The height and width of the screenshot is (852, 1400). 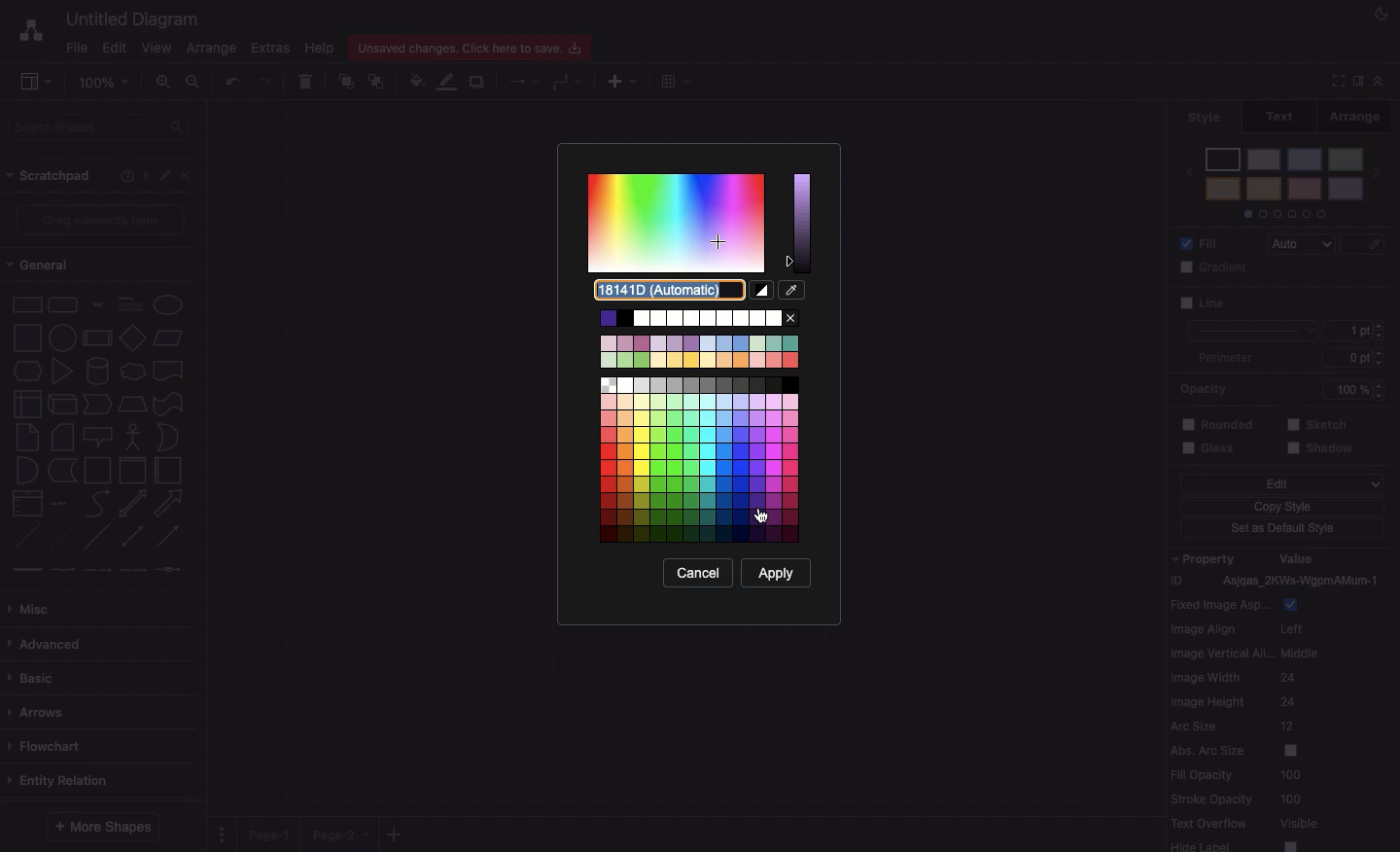 I want to click on Options, so click(x=222, y=828).